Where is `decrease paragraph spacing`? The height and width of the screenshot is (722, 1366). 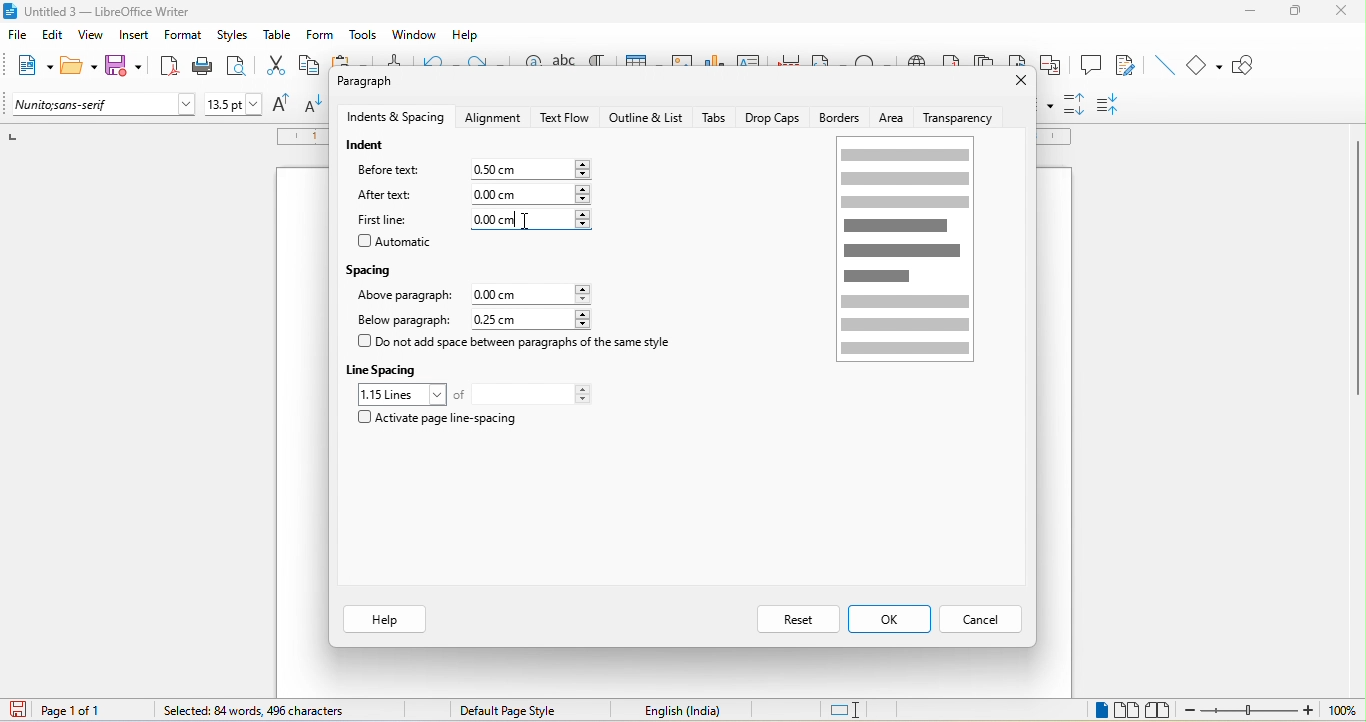 decrease paragraph spacing is located at coordinates (1112, 105).